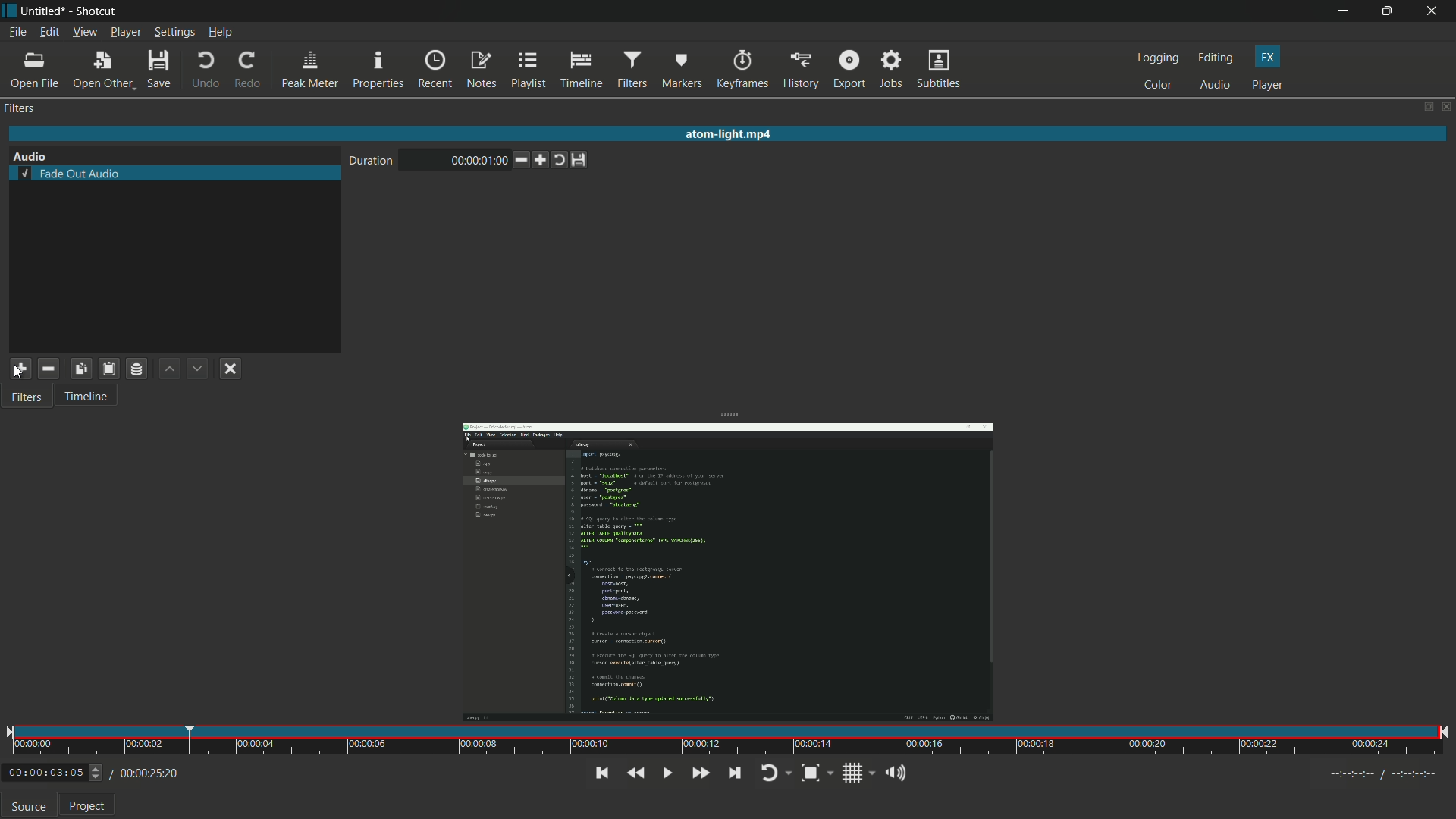 The image size is (1456, 819). What do you see at coordinates (435, 70) in the screenshot?
I see `recent` at bounding box center [435, 70].